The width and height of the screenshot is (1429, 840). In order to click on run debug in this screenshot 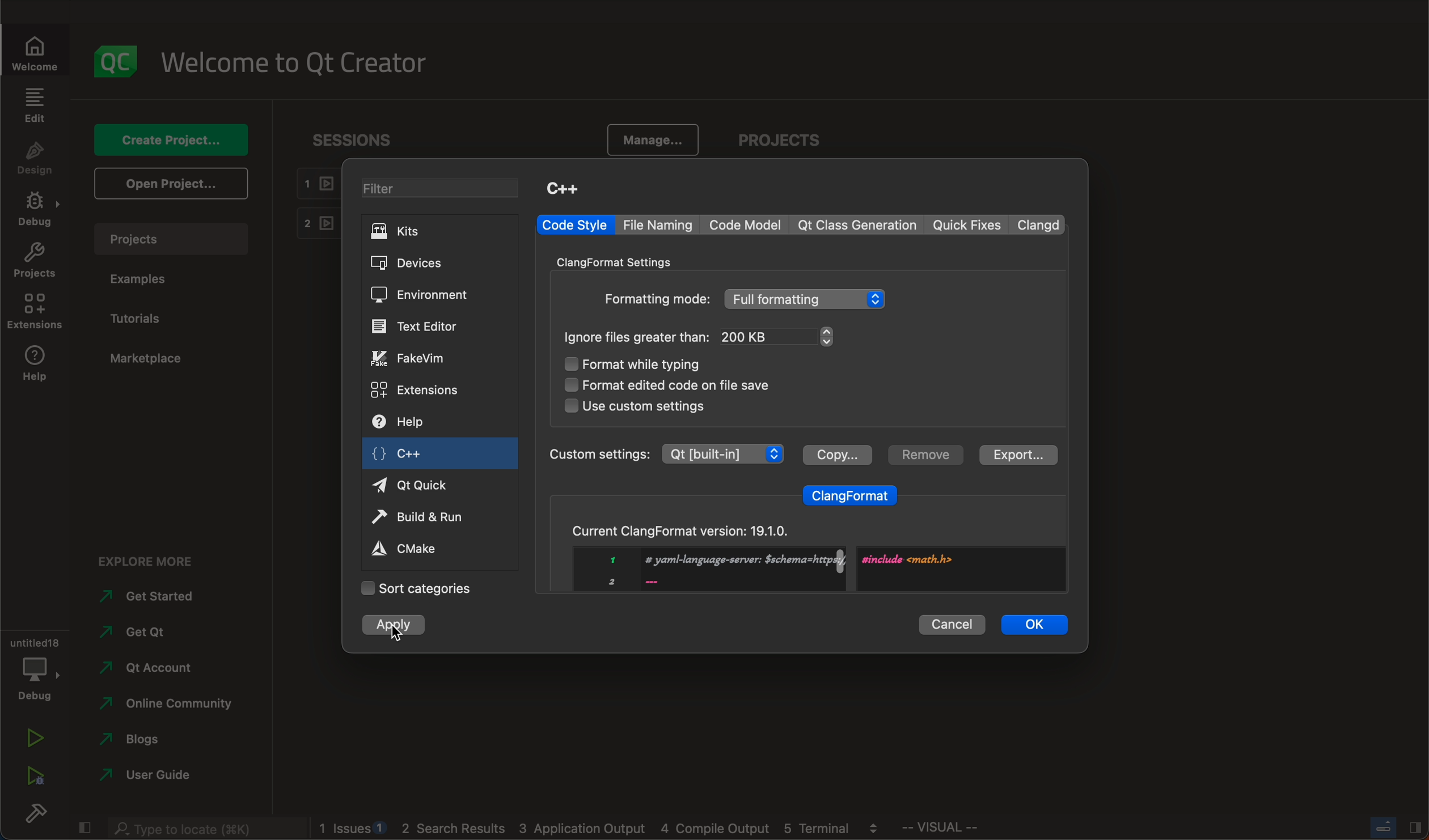, I will do `click(34, 773)`.